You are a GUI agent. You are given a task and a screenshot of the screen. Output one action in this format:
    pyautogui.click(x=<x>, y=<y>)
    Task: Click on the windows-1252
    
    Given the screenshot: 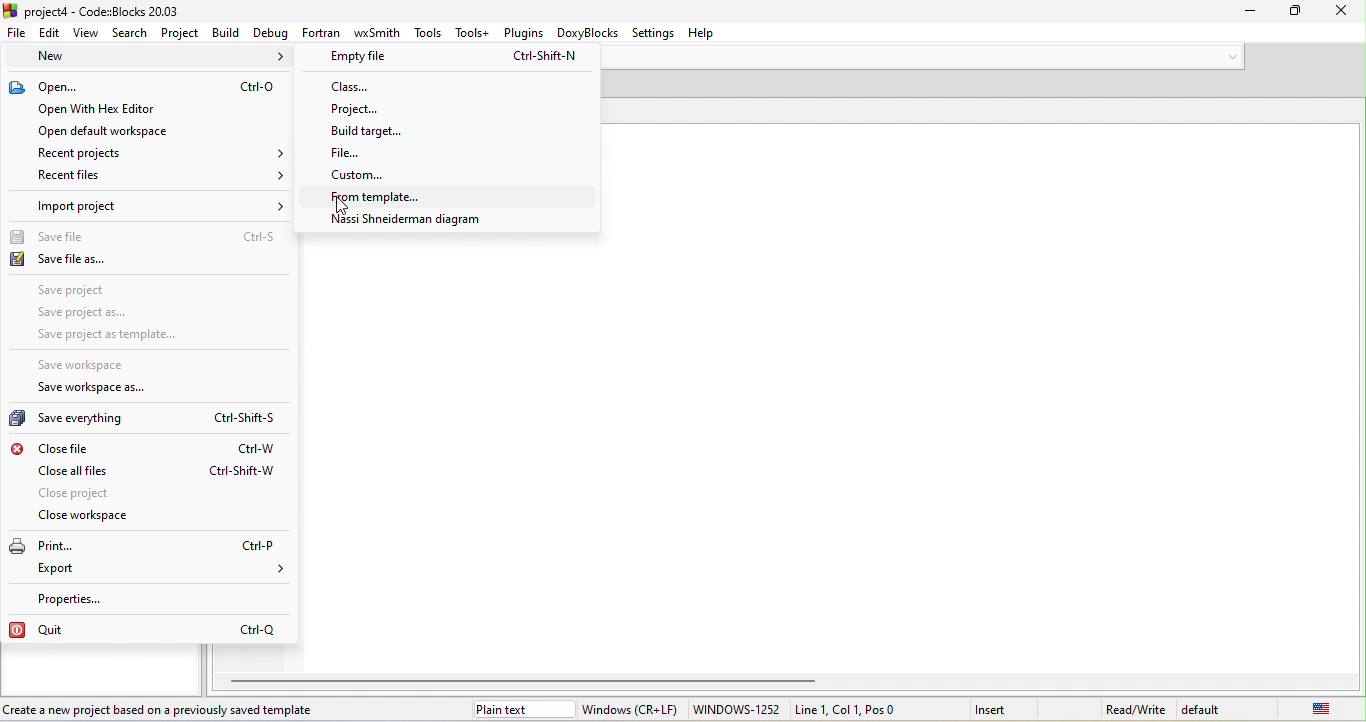 What is the action you would take?
    pyautogui.click(x=736, y=710)
    